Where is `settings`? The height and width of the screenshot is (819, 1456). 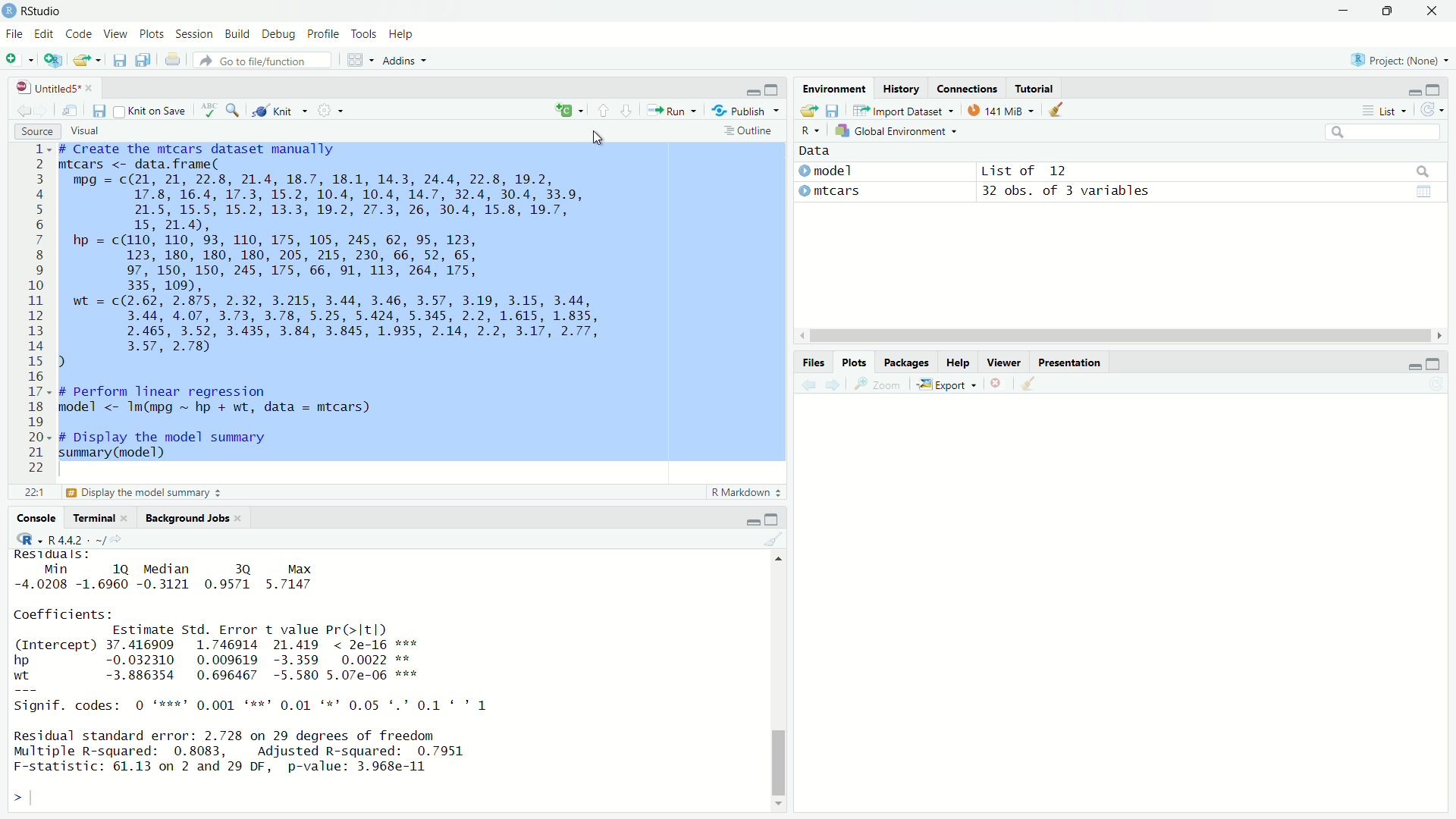 settings is located at coordinates (329, 109).